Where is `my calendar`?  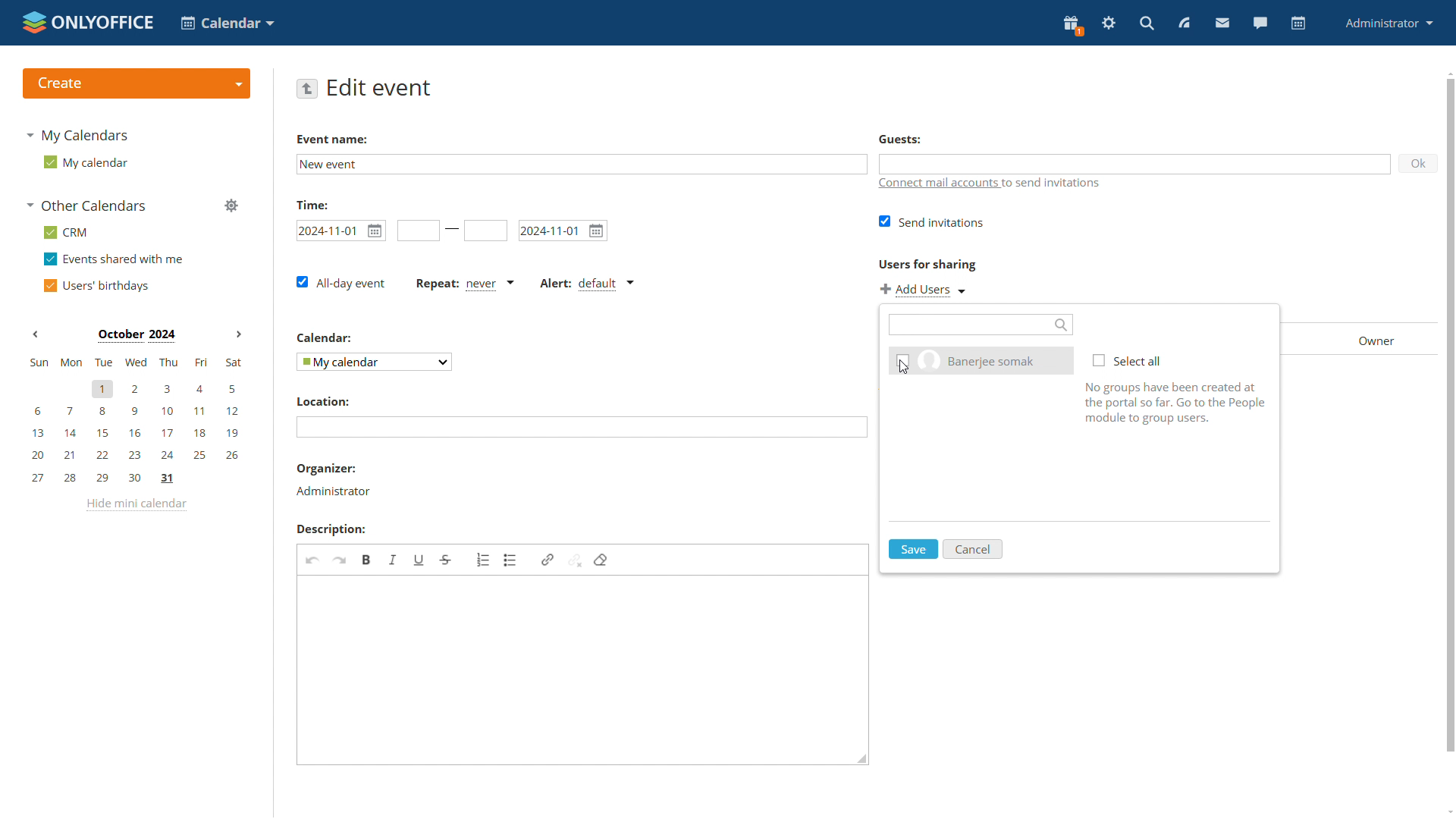 my calendar is located at coordinates (86, 163).